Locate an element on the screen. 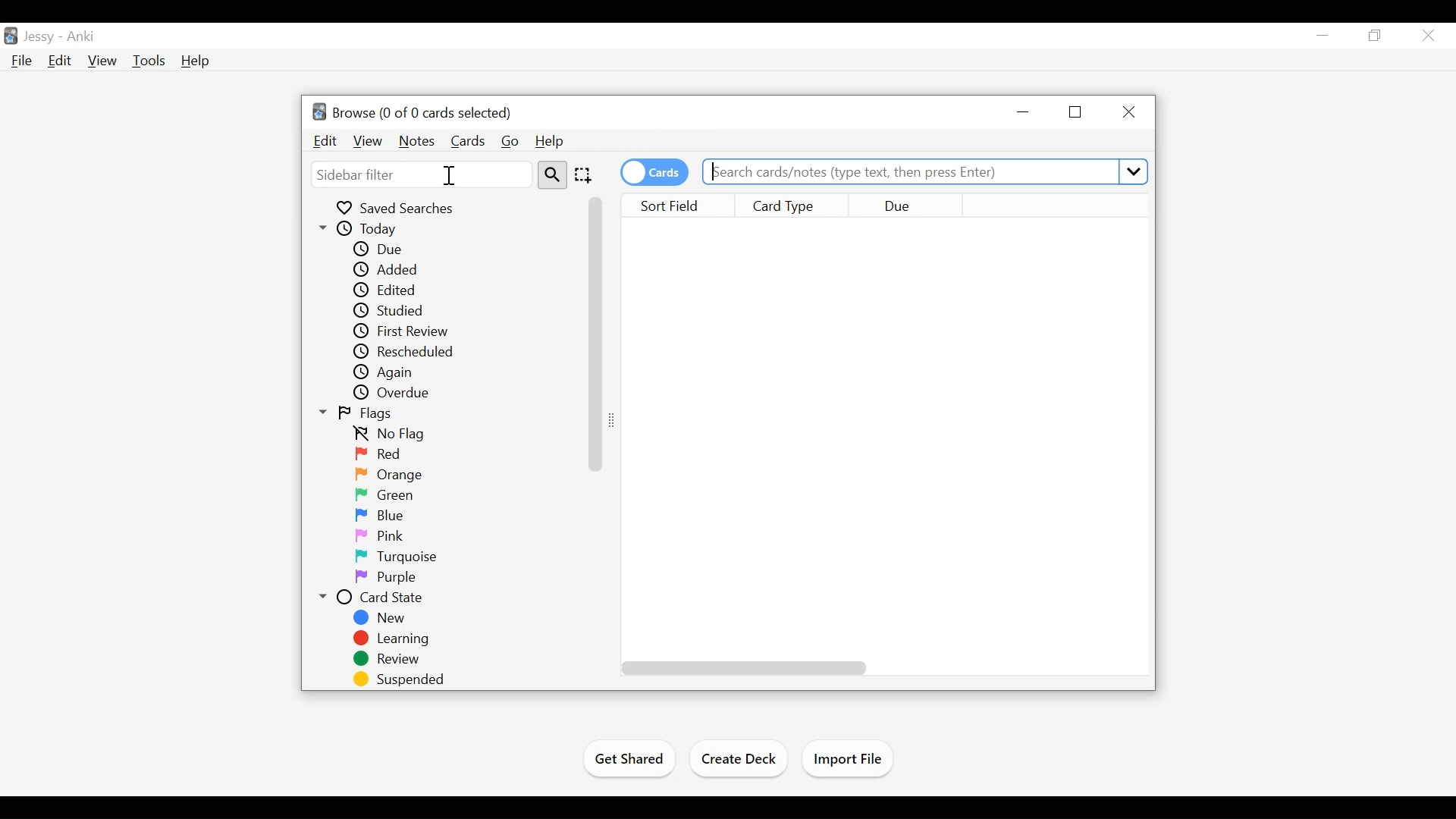 This screenshot has width=1456, height=819. User Name is located at coordinates (39, 37).